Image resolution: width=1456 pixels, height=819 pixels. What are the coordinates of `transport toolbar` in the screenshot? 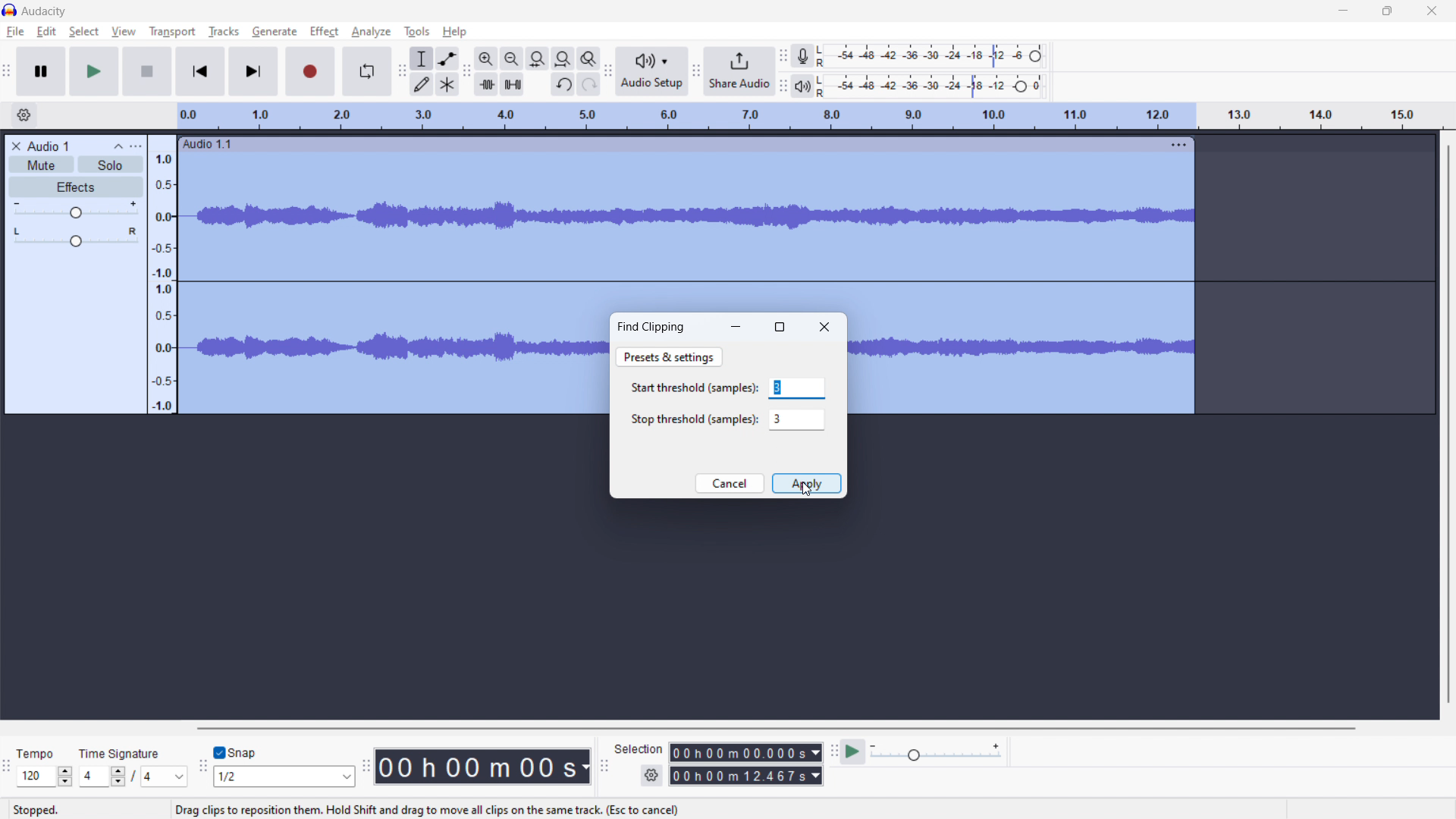 It's located at (8, 72).